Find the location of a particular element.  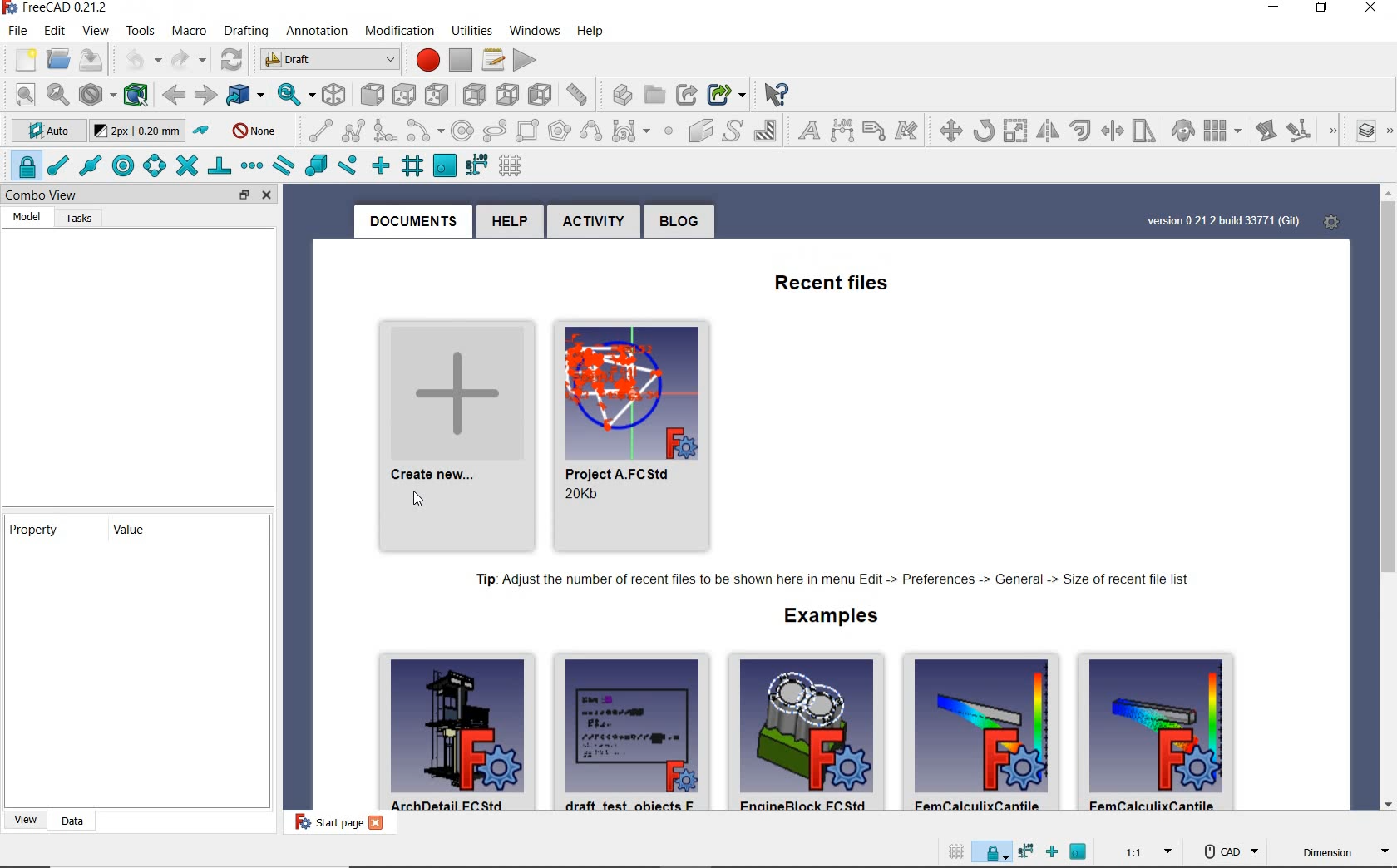

text is located at coordinates (807, 131).